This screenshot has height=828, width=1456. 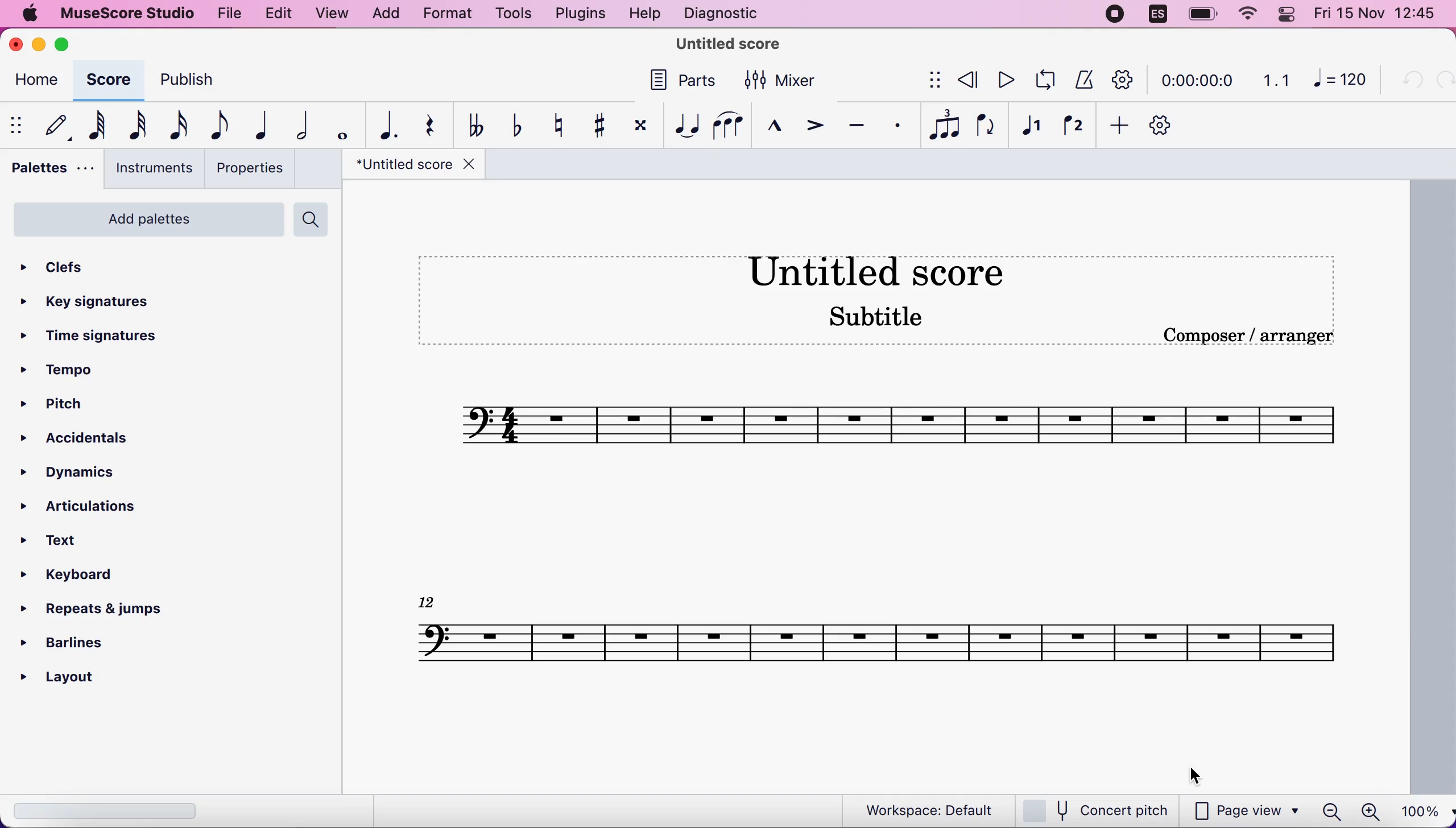 I want to click on Search, so click(x=313, y=218).